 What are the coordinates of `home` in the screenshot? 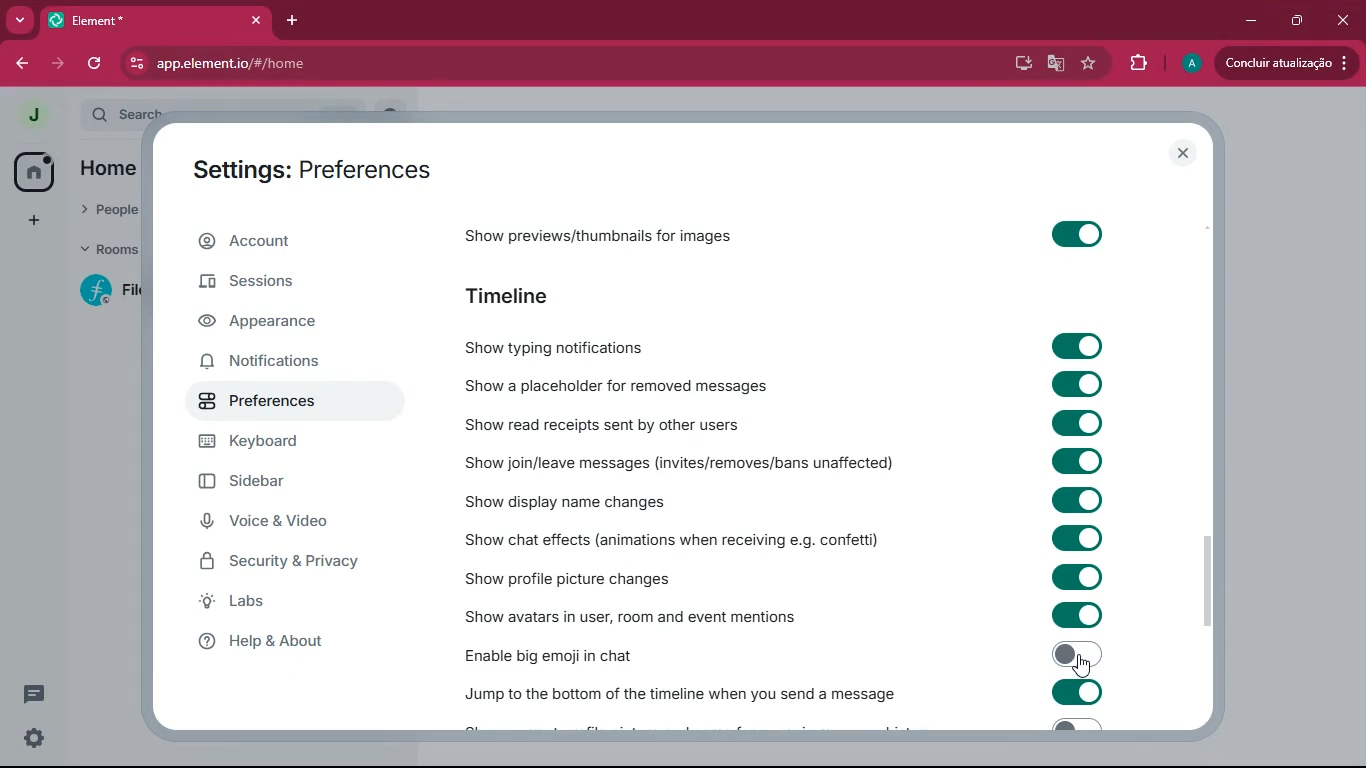 It's located at (111, 167).